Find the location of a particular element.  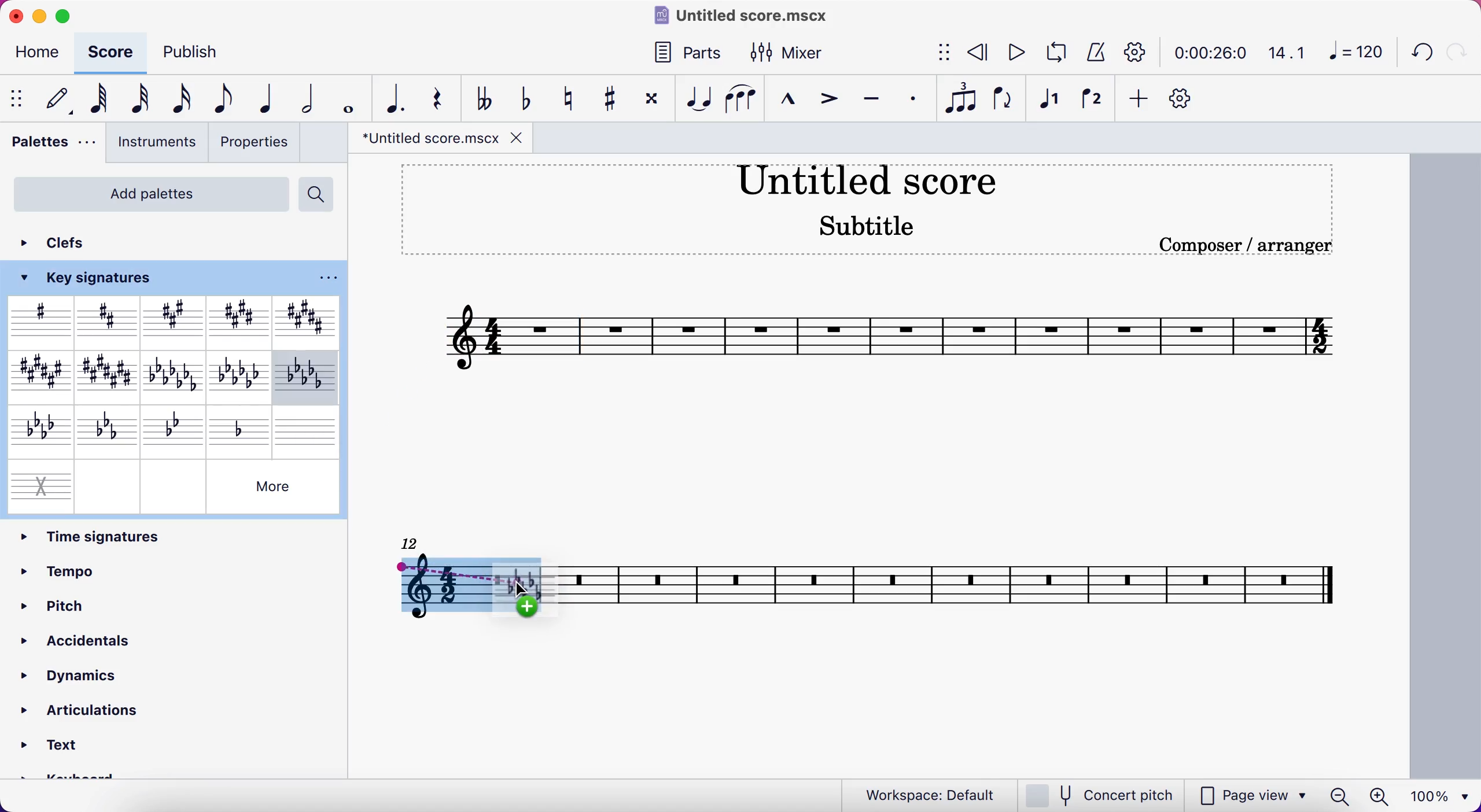

title score is located at coordinates (872, 183).